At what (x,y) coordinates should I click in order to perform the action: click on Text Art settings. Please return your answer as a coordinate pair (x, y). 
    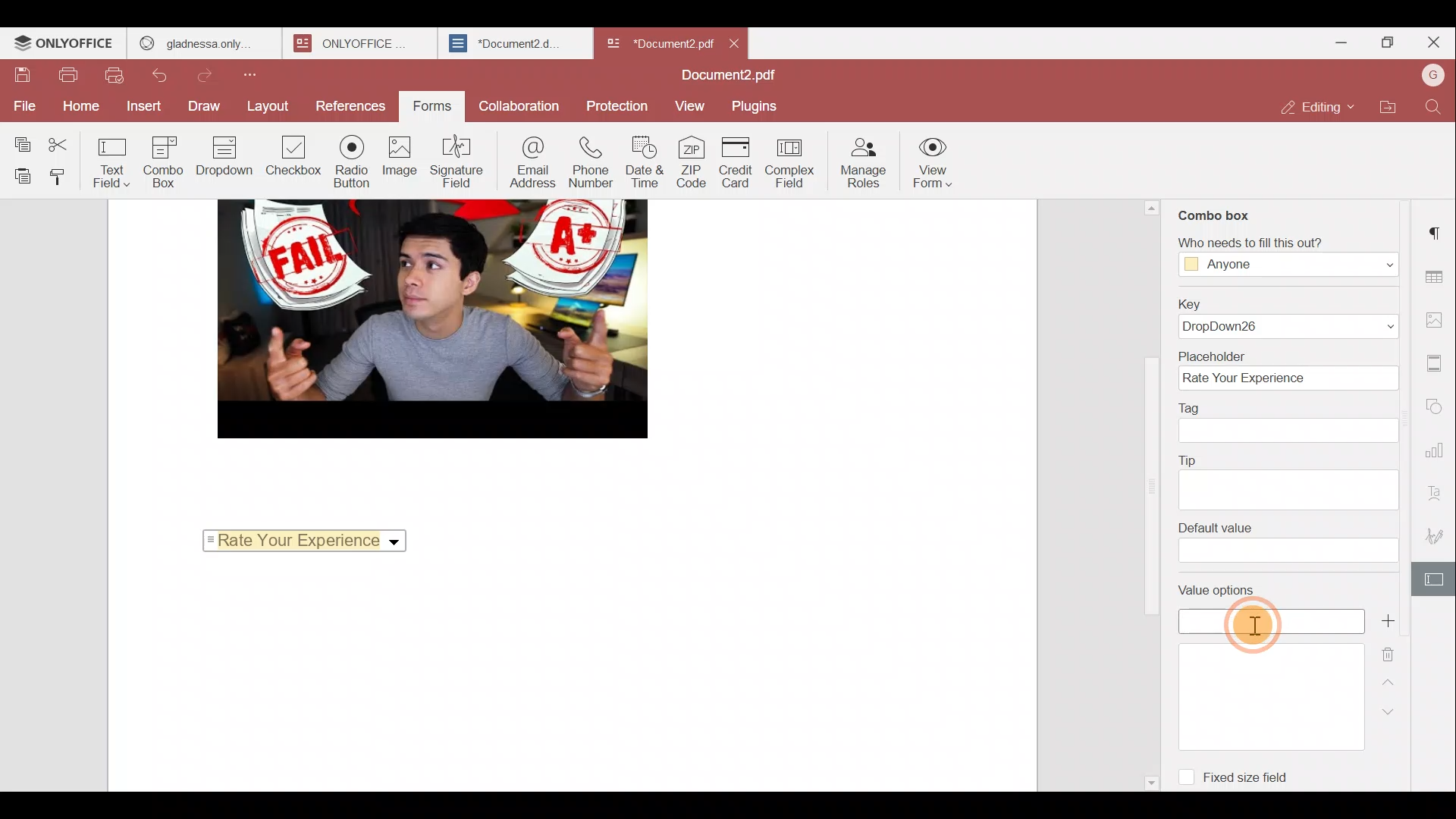
    Looking at the image, I should click on (1438, 491).